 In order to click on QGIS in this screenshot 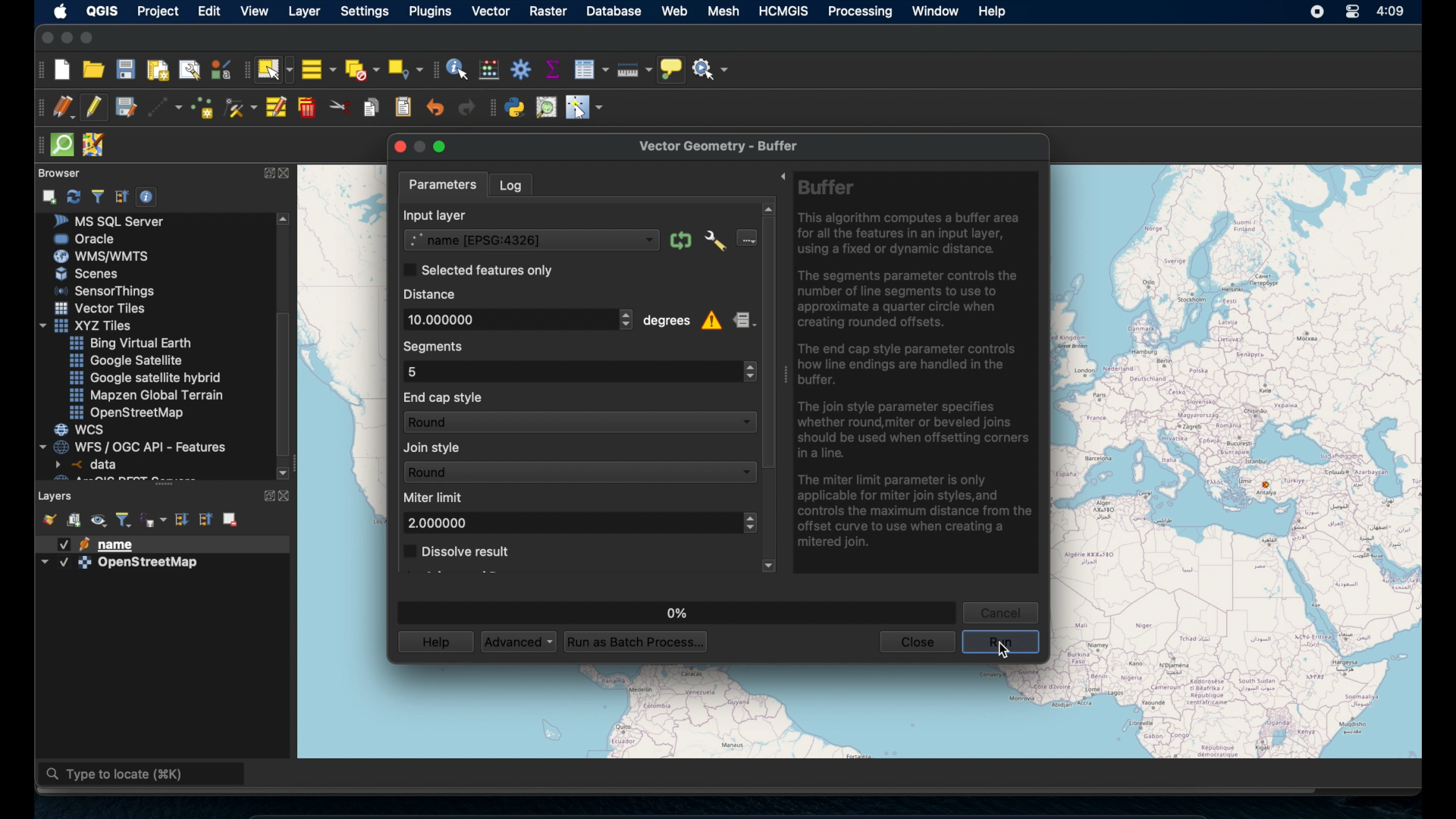, I will do `click(102, 10)`.